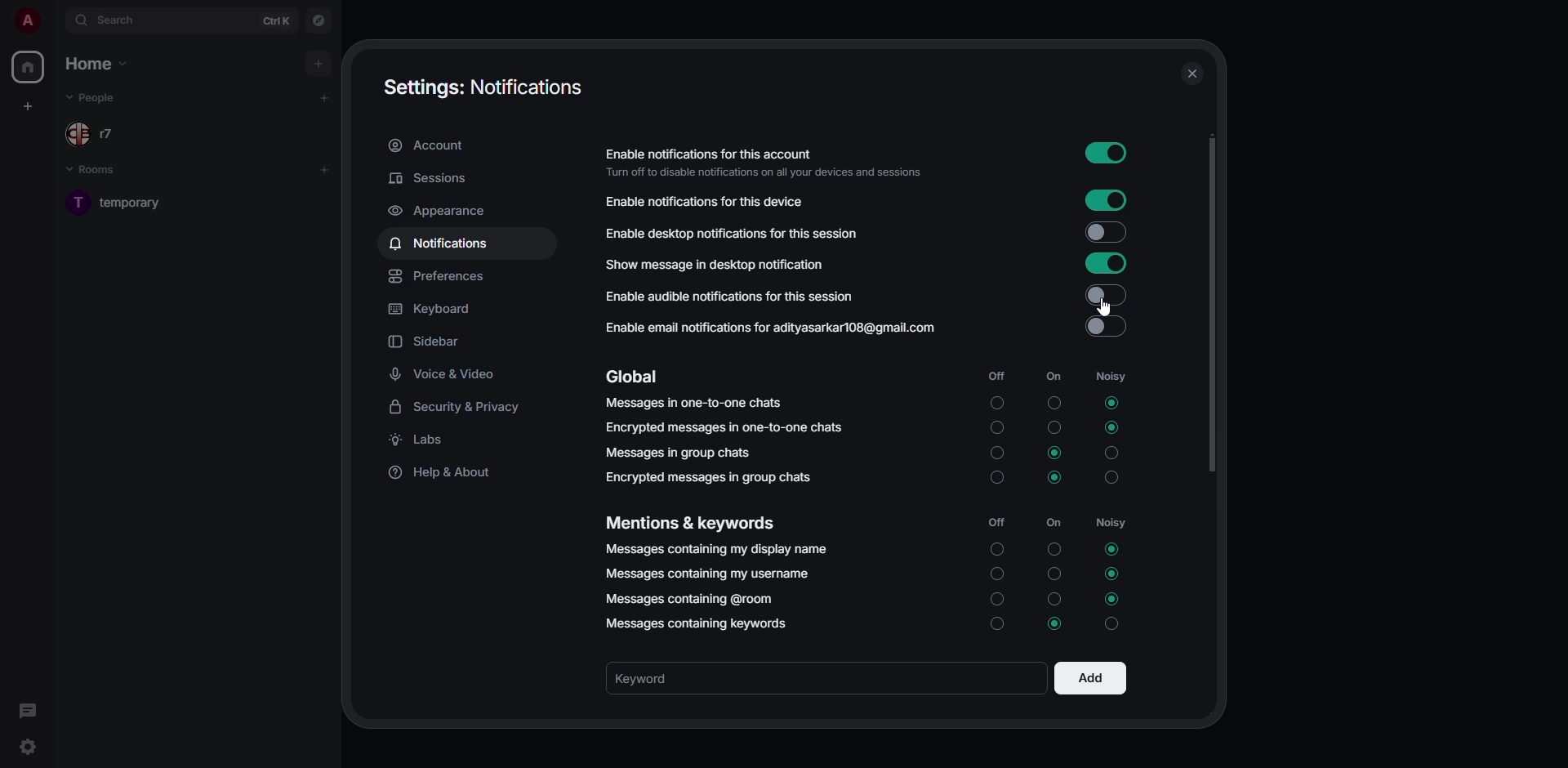  Describe the element at coordinates (996, 428) in the screenshot. I see `off` at that location.